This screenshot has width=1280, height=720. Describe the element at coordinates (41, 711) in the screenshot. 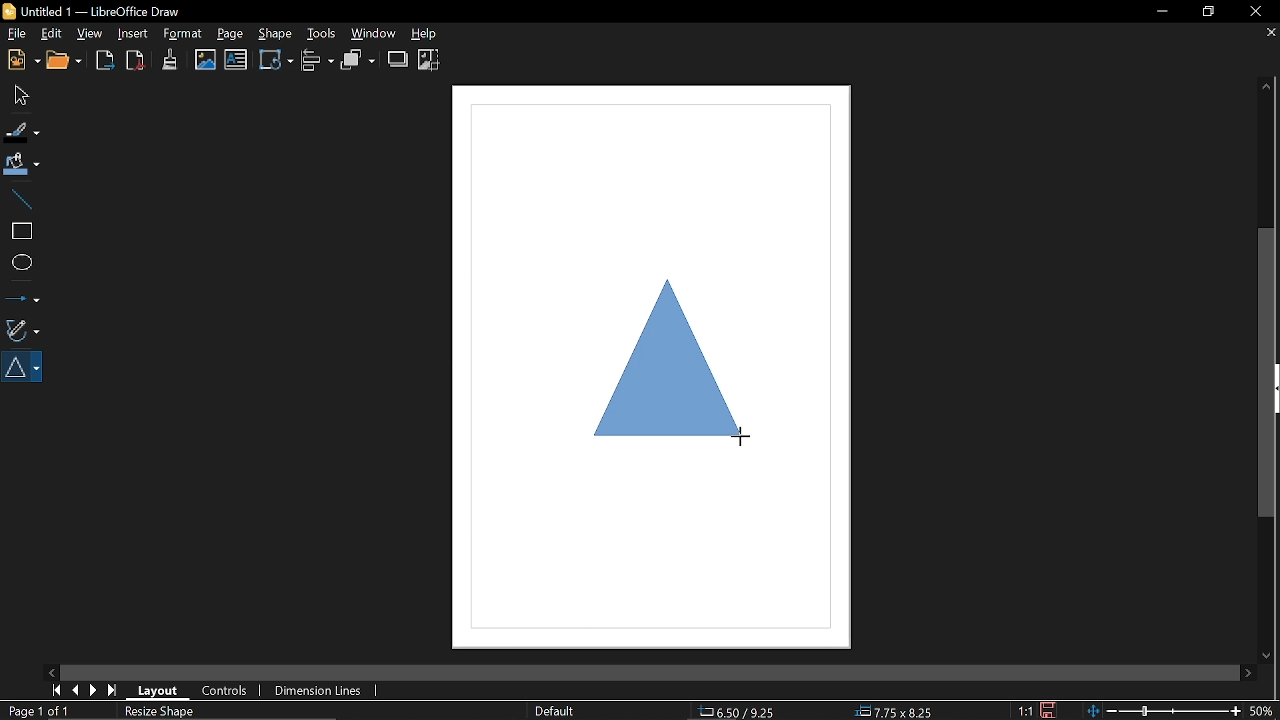

I see `Current page` at that location.